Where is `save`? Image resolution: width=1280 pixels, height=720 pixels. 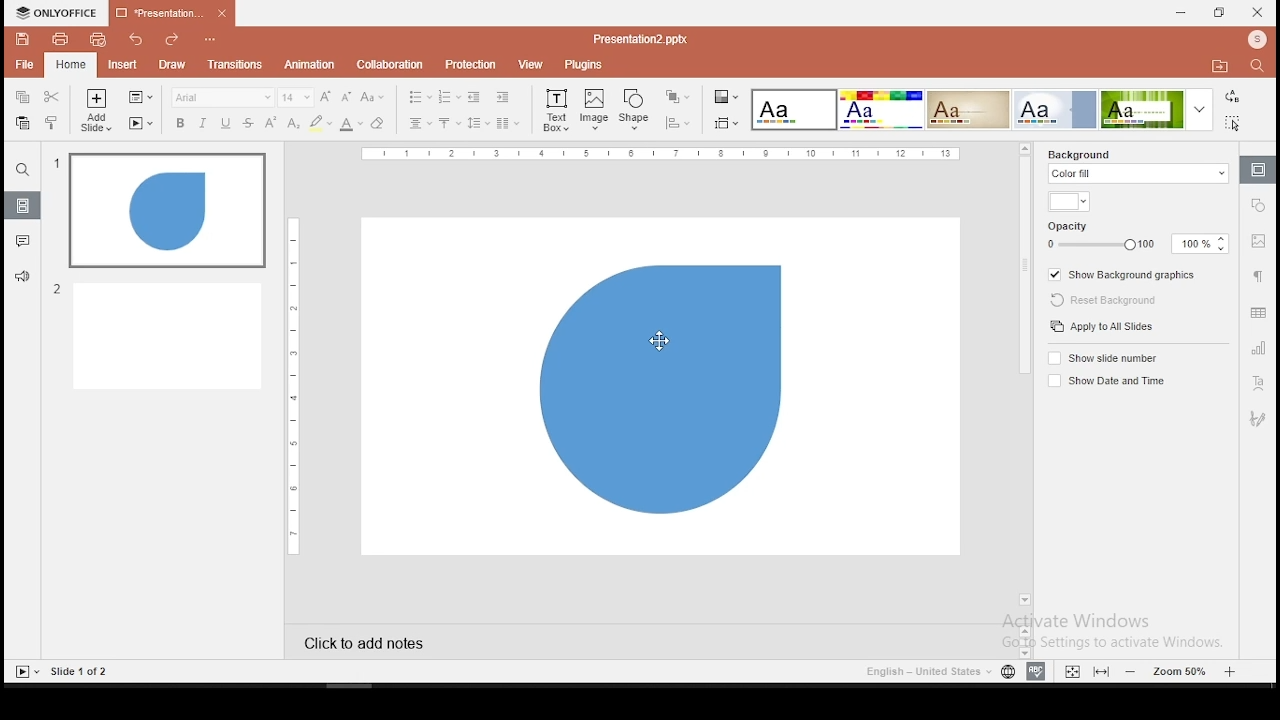 save is located at coordinates (22, 39).